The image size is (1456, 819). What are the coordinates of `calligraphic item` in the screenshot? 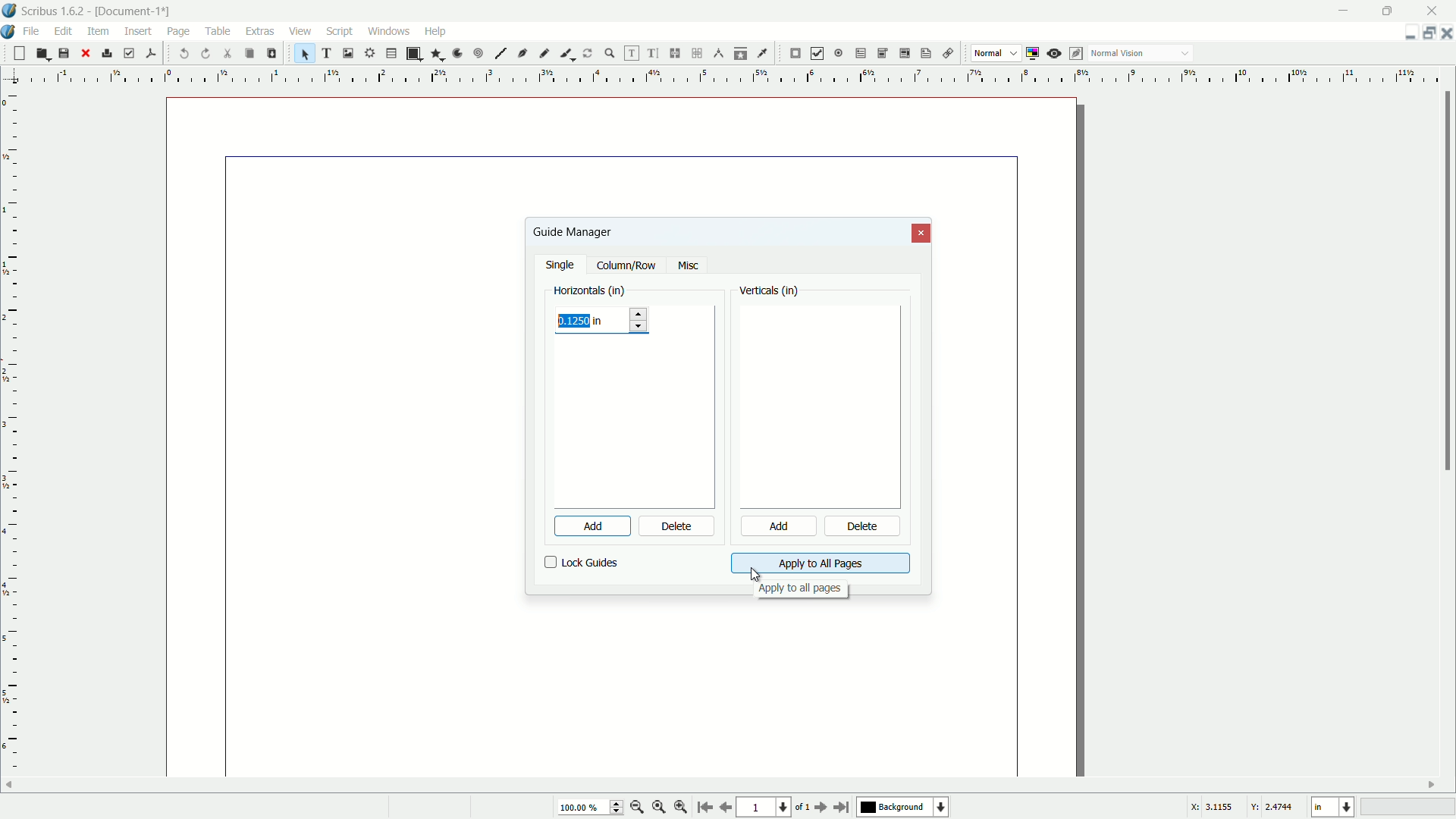 It's located at (565, 53).